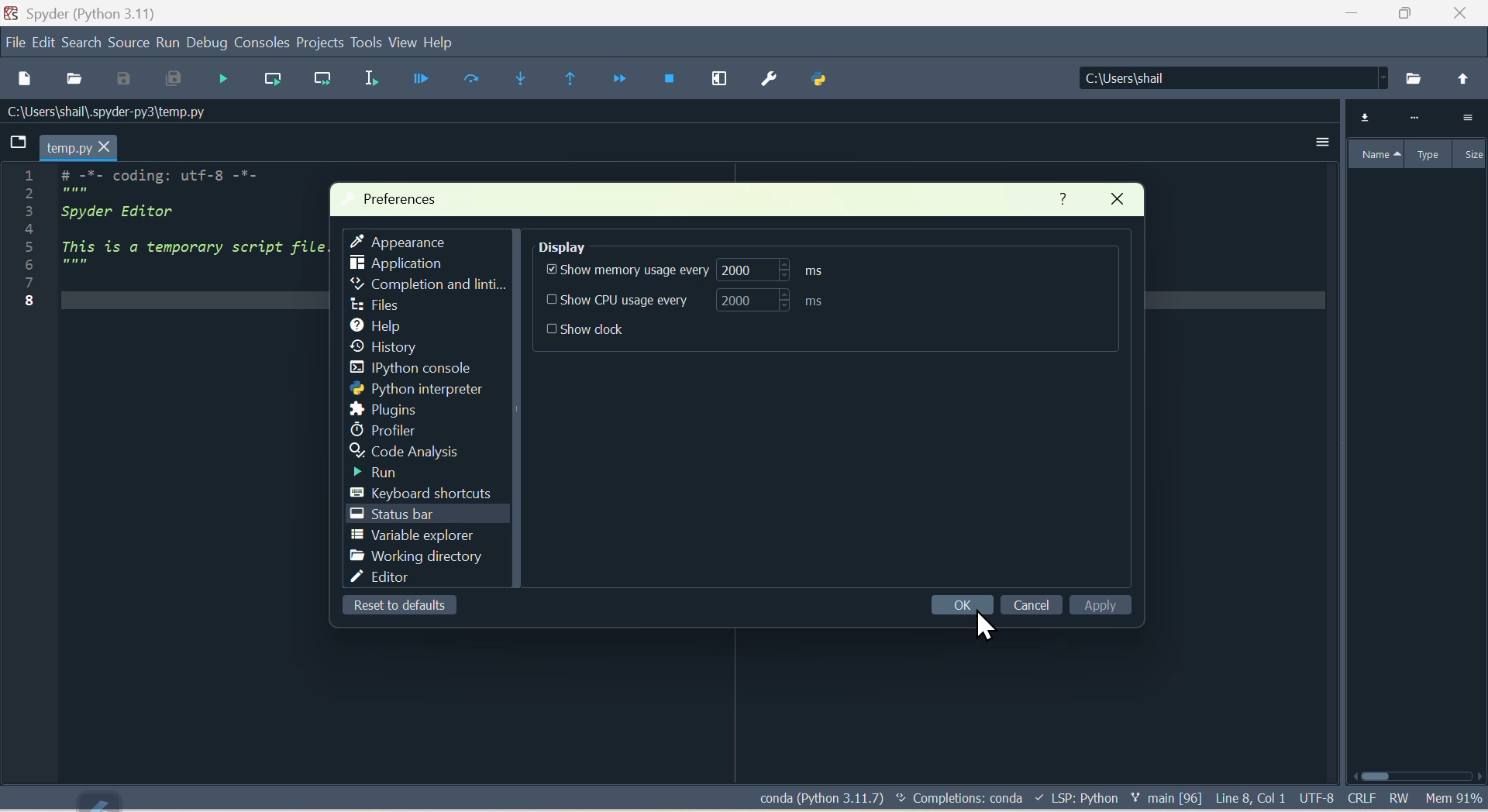 The width and height of the screenshot is (1488, 812). What do you see at coordinates (611, 79) in the screenshot?
I see `continue execution until next function` at bounding box center [611, 79].